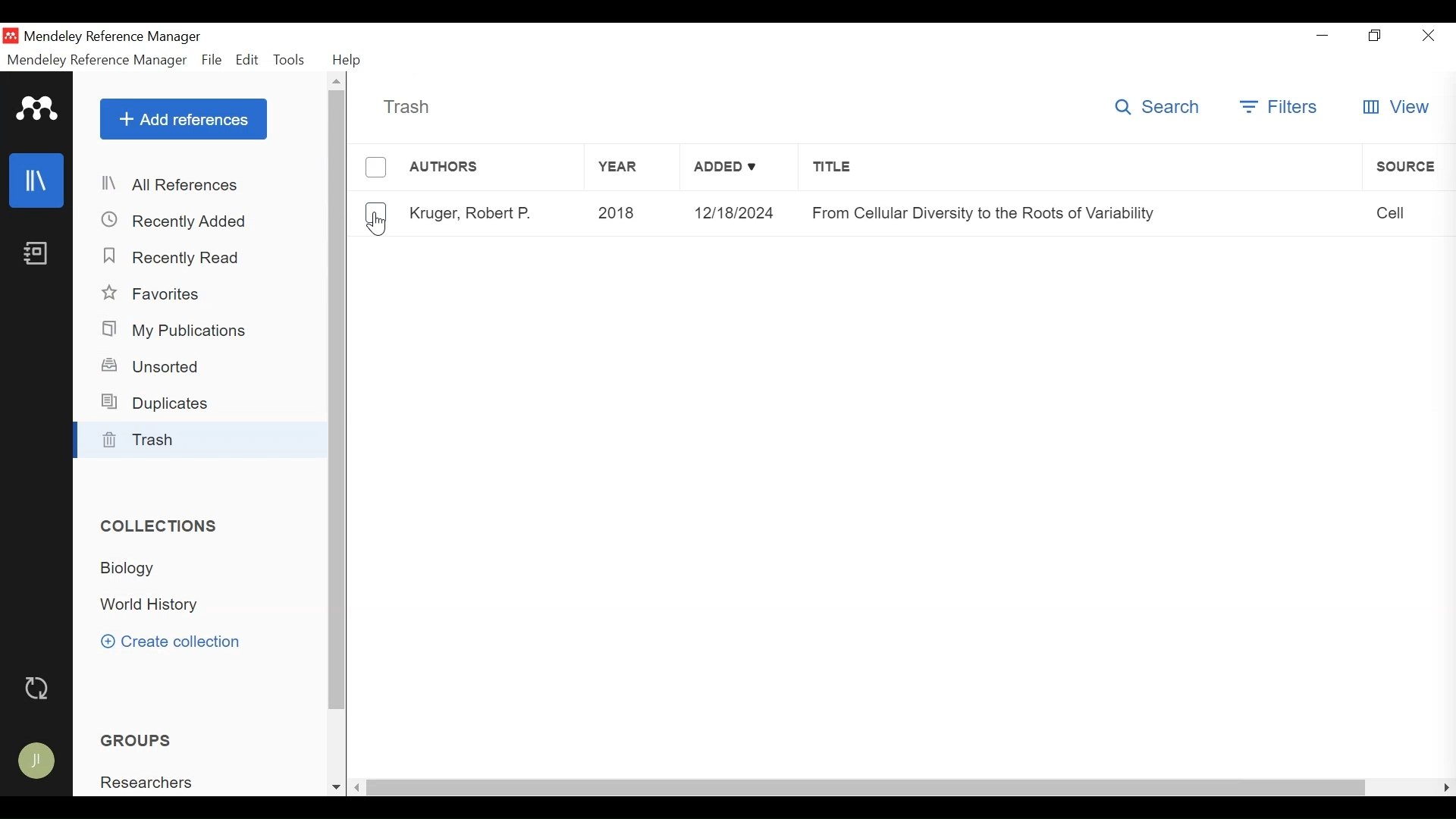 This screenshot has height=819, width=1456. What do you see at coordinates (36, 108) in the screenshot?
I see `Mendeley Logo` at bounding box center [36, 108].